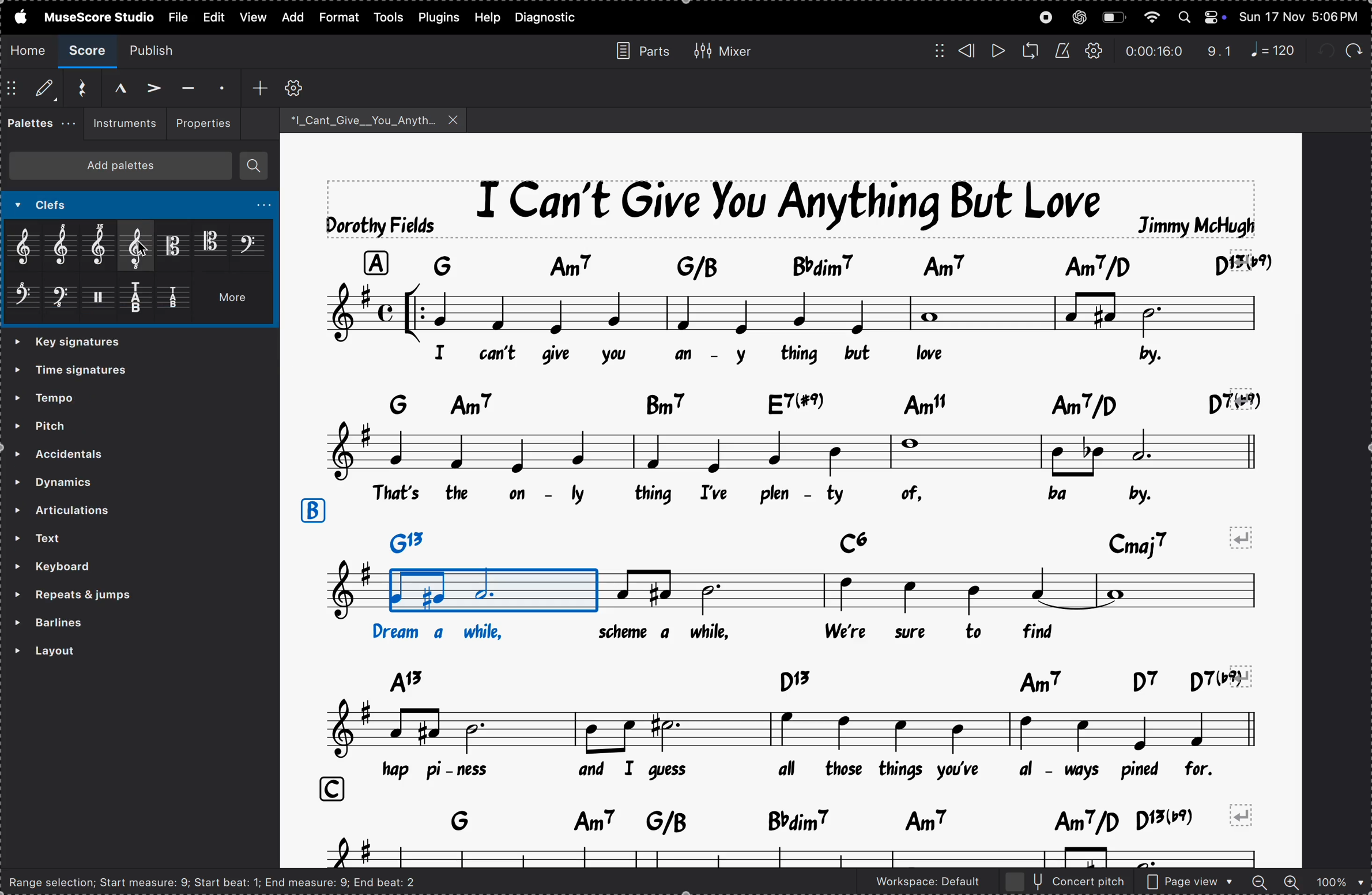 Image resolution: width=1372 pixels, height=895 pixels. Describe the element at coordinates (1301, 14) in the screenshot. I see `time and date` at that location.